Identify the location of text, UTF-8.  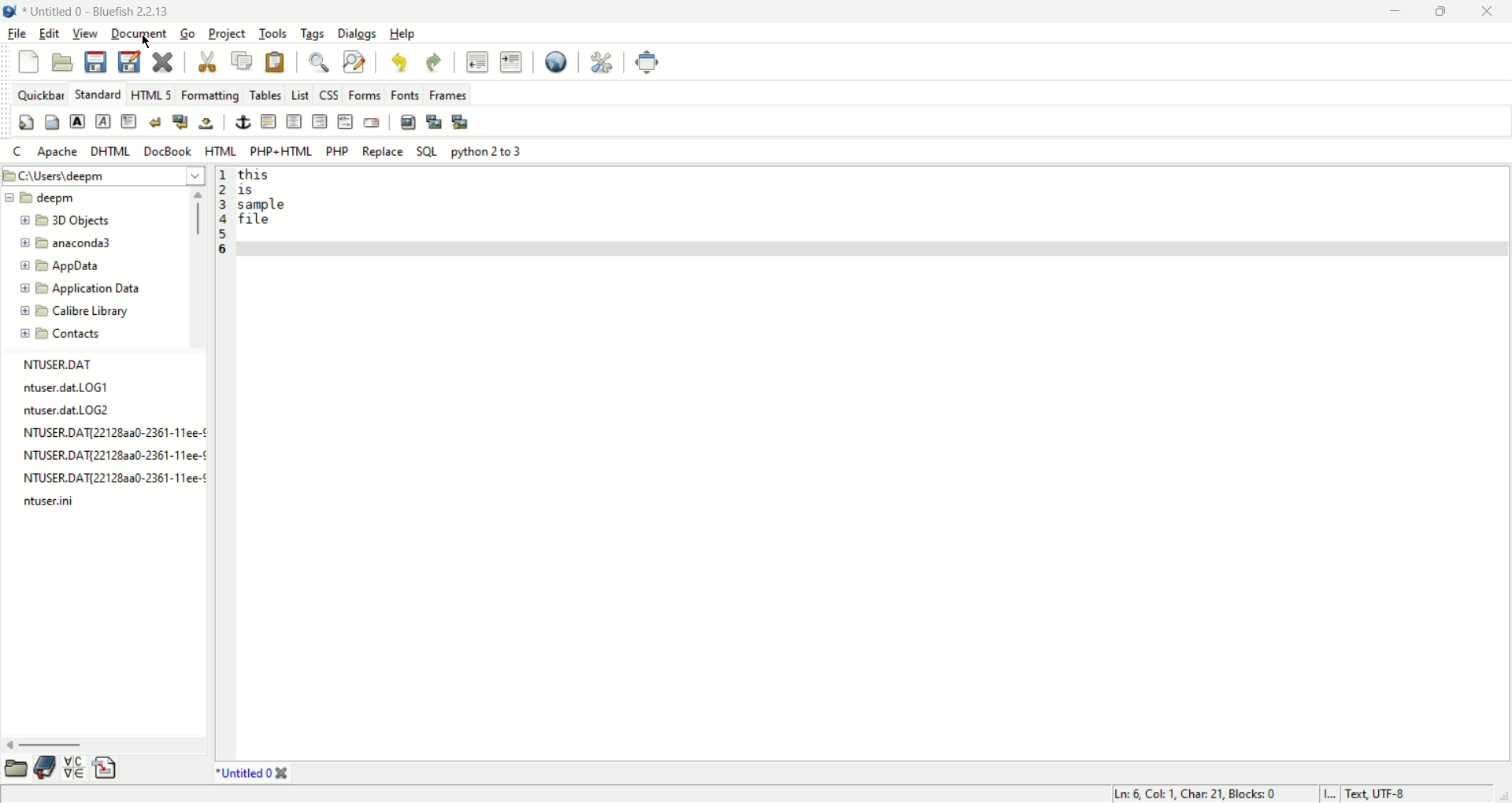
(1386, 794).